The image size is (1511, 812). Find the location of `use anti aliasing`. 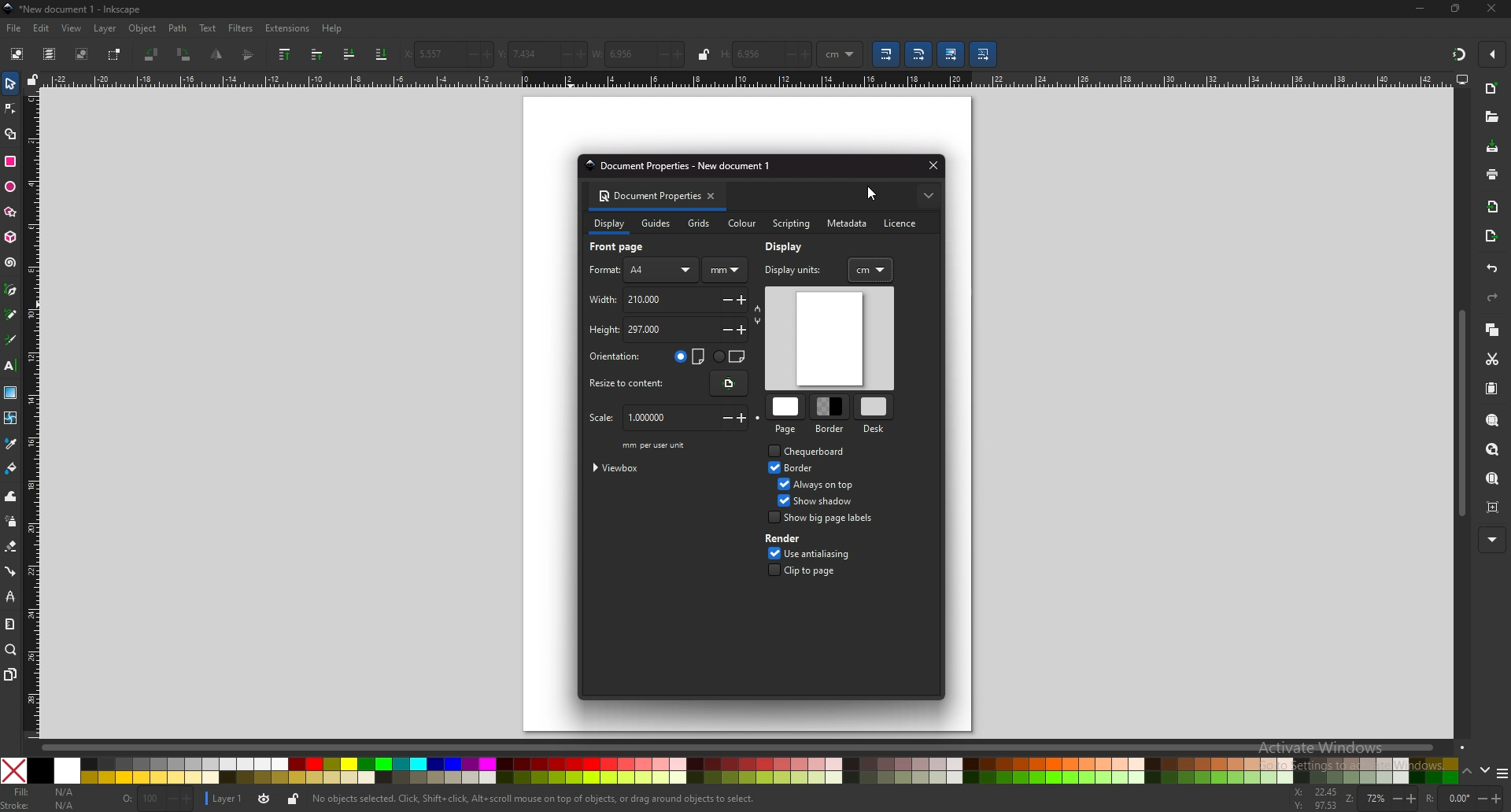

use anti aliasing is located at coordinates (835, 553).